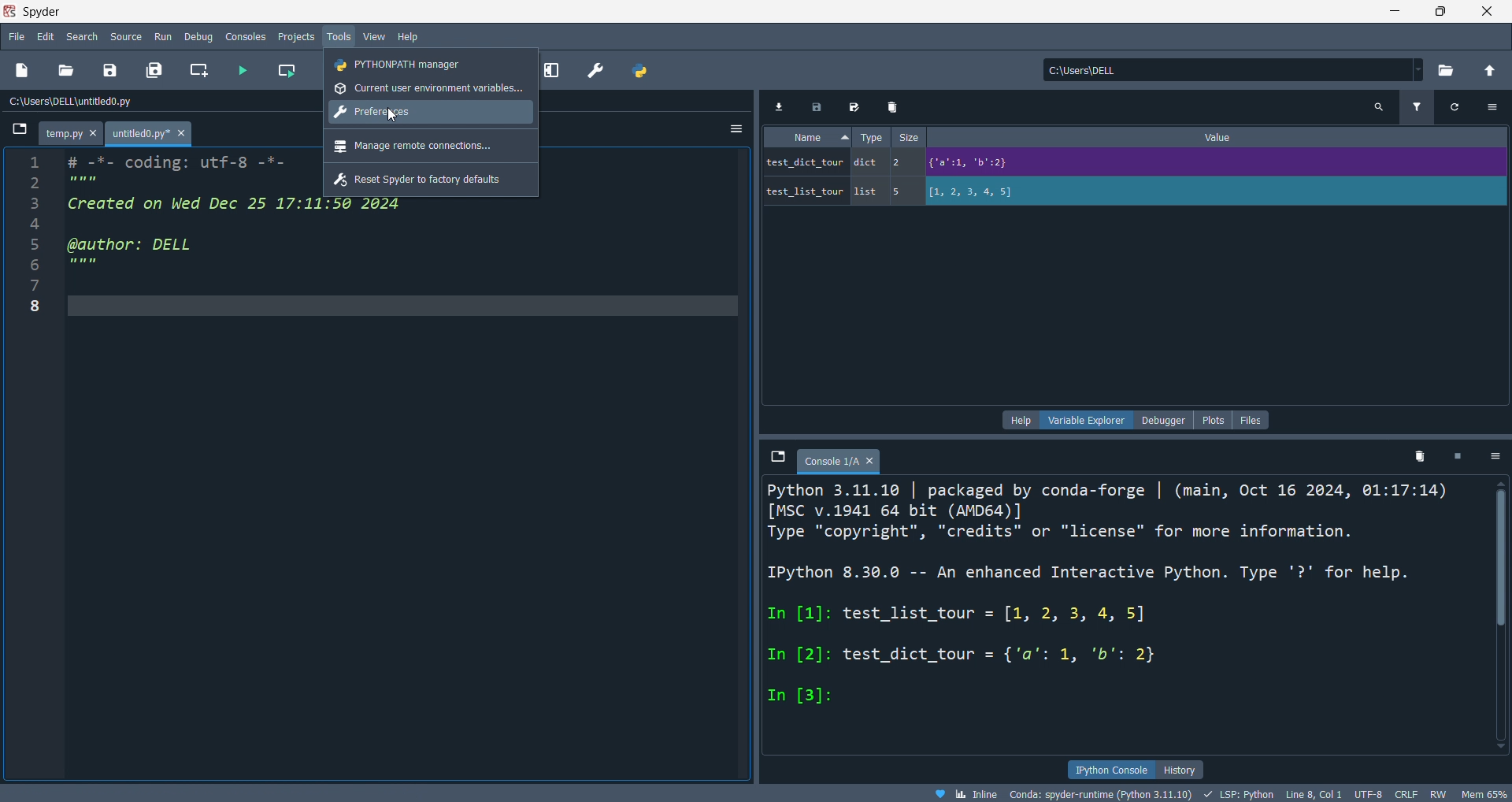 The image size is (1512, 802). Describe the element at coordinates (153, 69) in the screenshot. I see `save all file` at that location.